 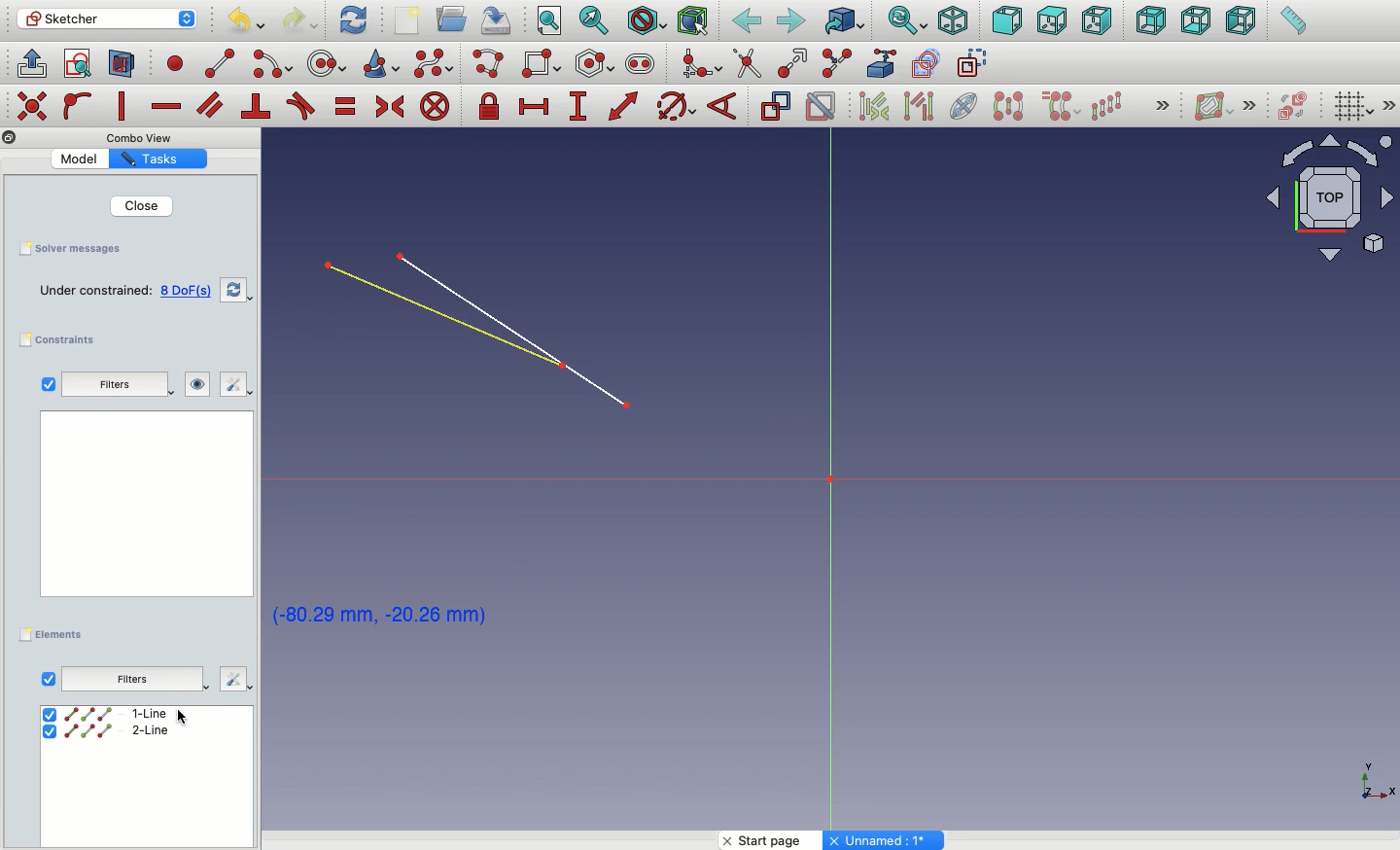 I want to click on View section, so click(x=122, y=65).